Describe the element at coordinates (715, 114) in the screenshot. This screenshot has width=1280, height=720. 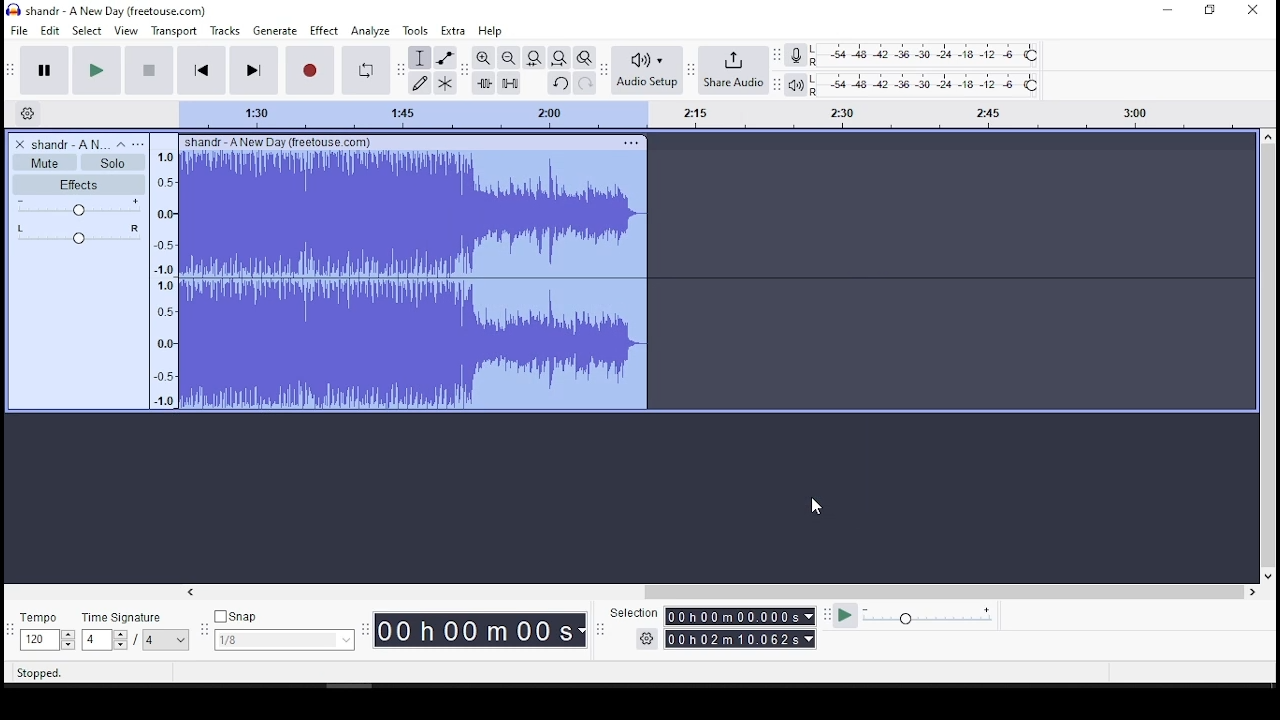
I see `track's timing` at that location.